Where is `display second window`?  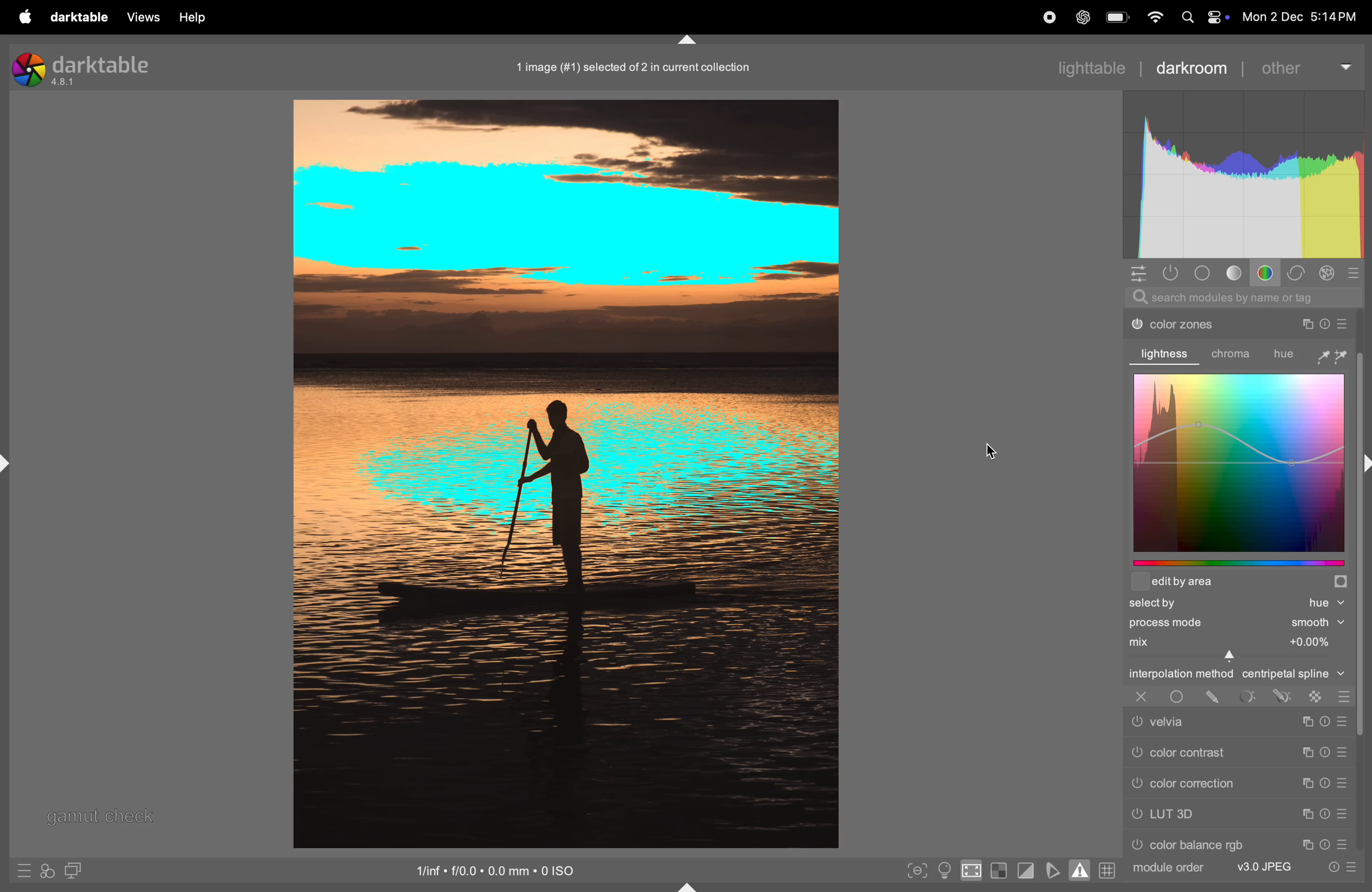 display second window is located at coordinates (76, 872).